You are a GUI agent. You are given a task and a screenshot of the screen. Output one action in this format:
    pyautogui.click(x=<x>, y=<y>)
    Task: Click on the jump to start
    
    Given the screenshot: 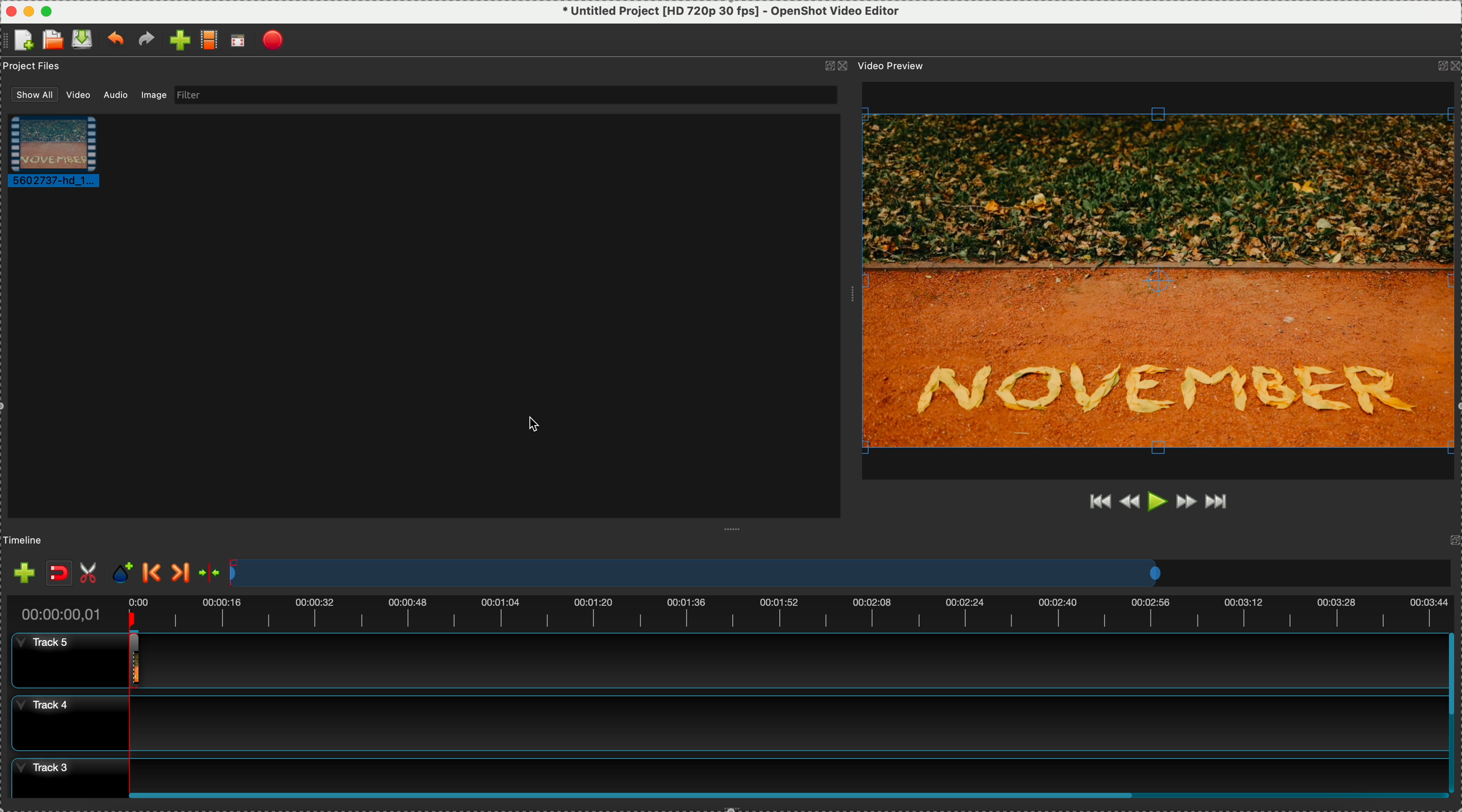 What is the action you would take?
    pyautogui.click(x=1098, y=500)
    